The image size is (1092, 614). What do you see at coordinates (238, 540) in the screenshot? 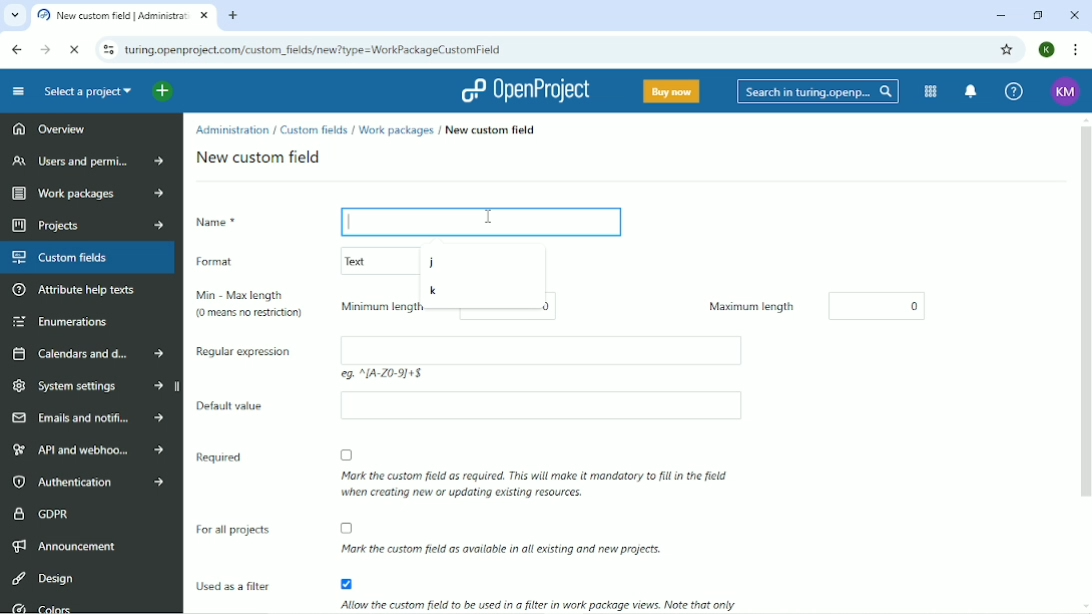
I see `For all projects` at bounding box center [238, 540].